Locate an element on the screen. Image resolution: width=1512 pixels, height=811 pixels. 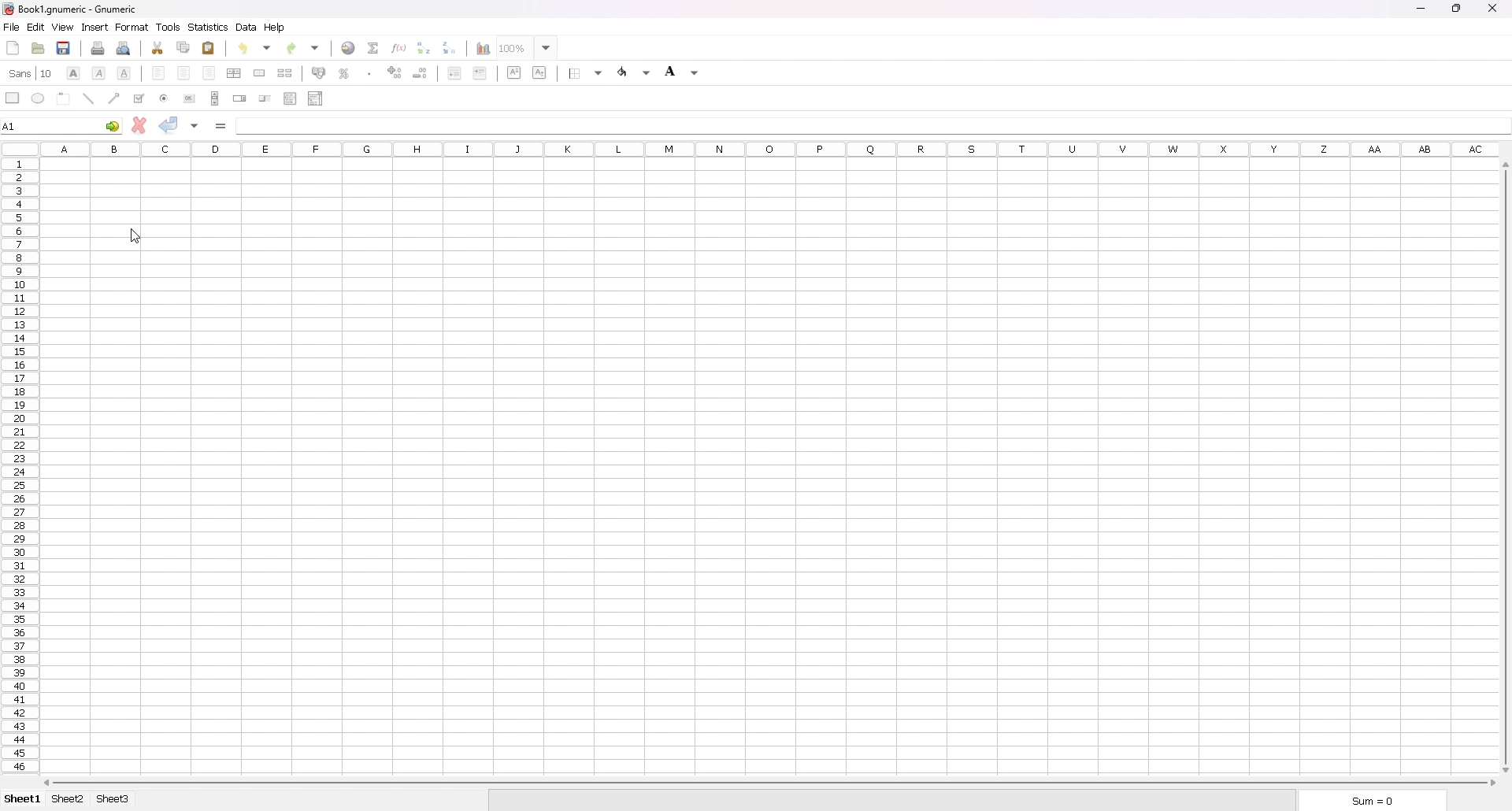
data is located at coordinates (246, 28).